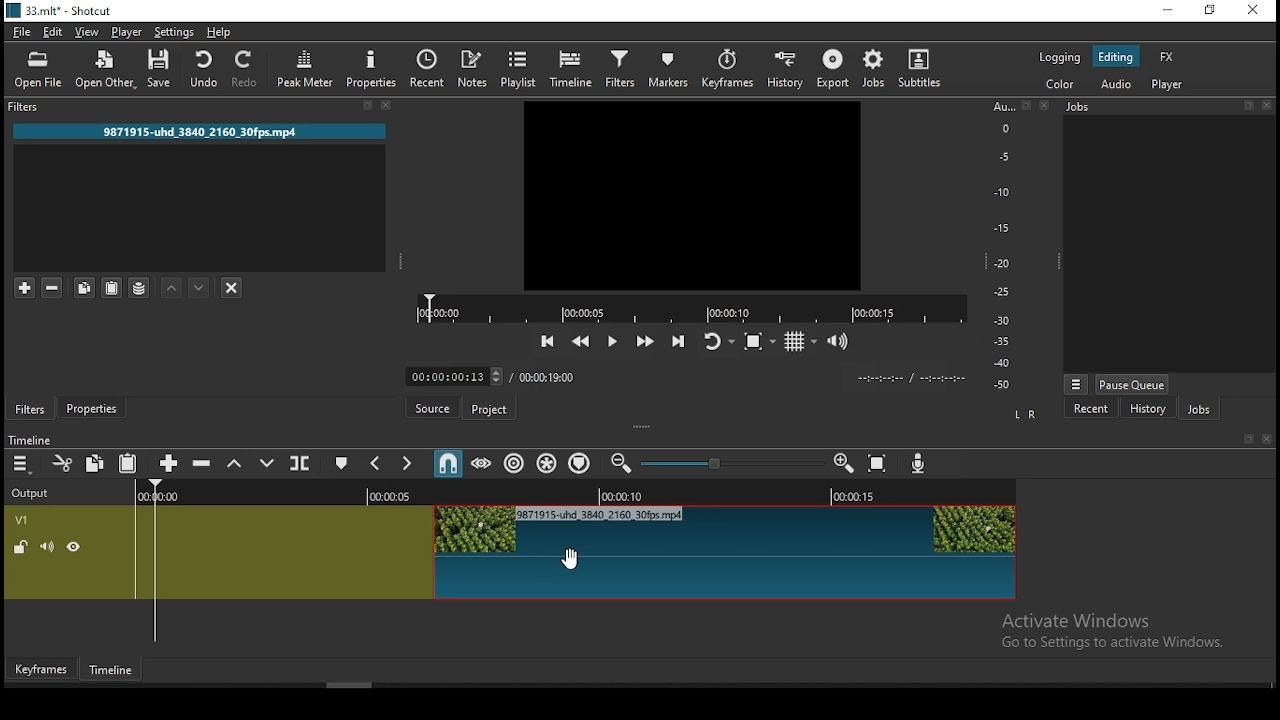  What do you see at coordinates (678, 339) in the screenshot?
I see `skip to next point` at bounding box center [678, 339].